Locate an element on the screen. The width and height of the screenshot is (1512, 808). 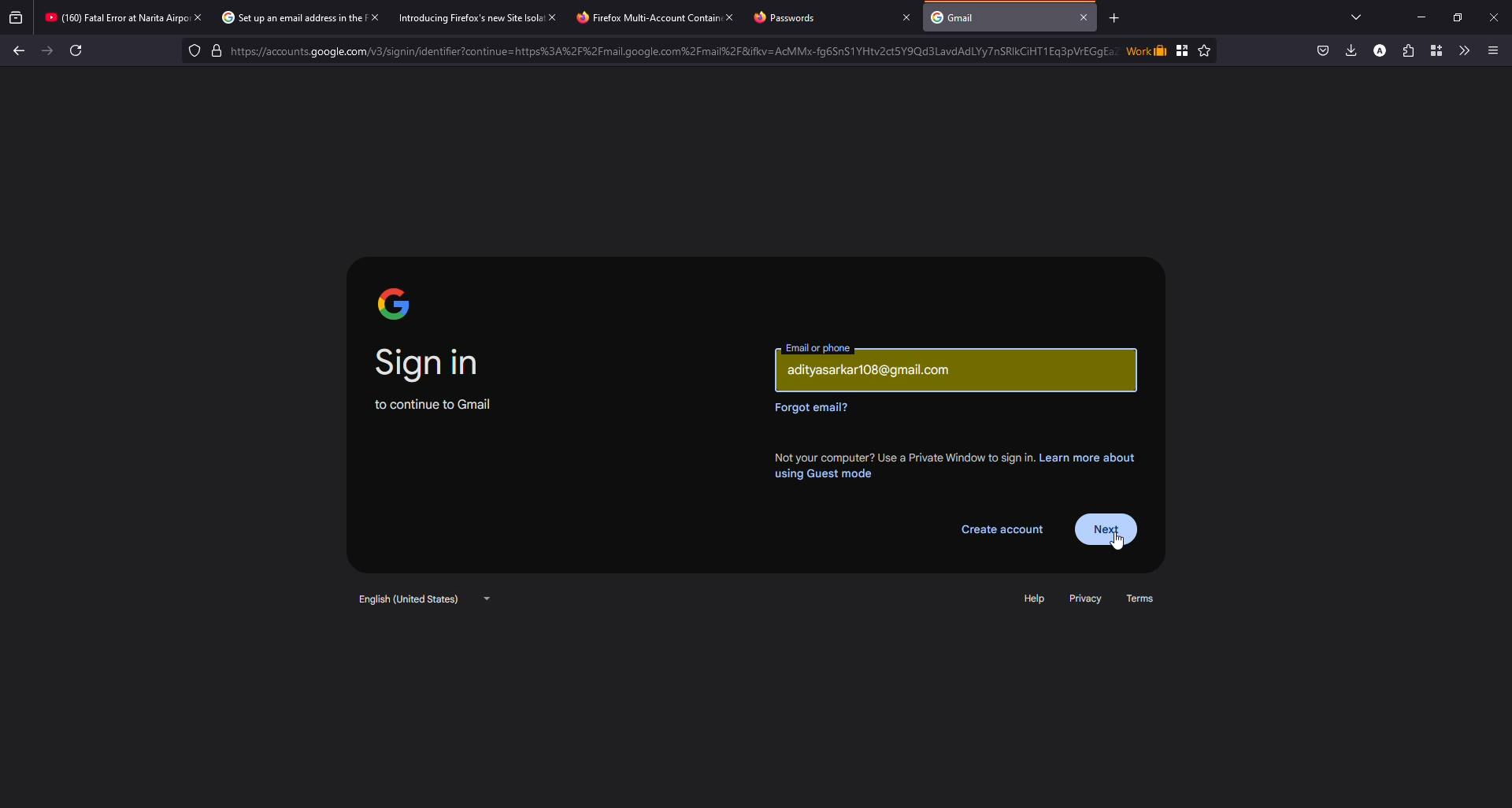
extensions is located at coordinates (1406, 50).